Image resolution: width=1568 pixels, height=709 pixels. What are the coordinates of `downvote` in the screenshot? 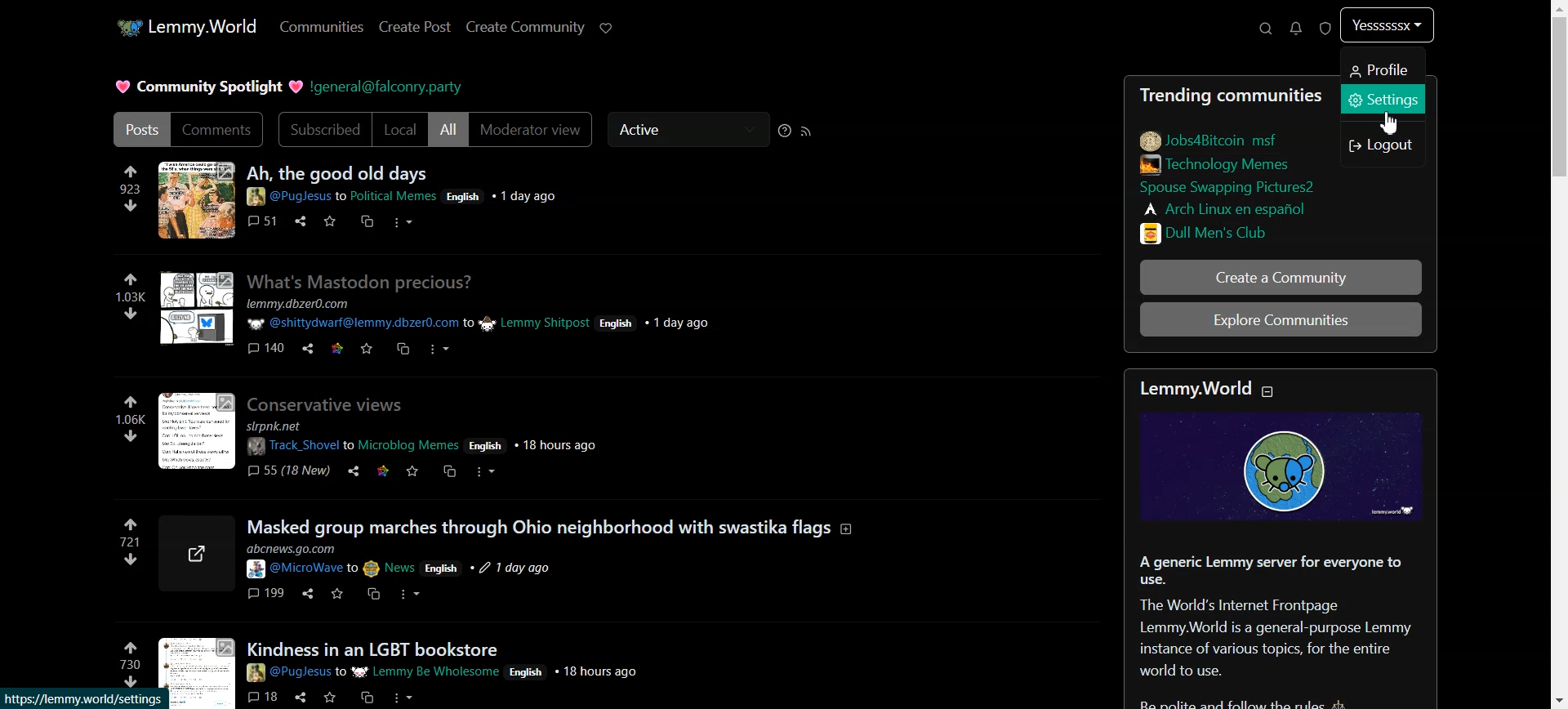 It's located at (129, 560).